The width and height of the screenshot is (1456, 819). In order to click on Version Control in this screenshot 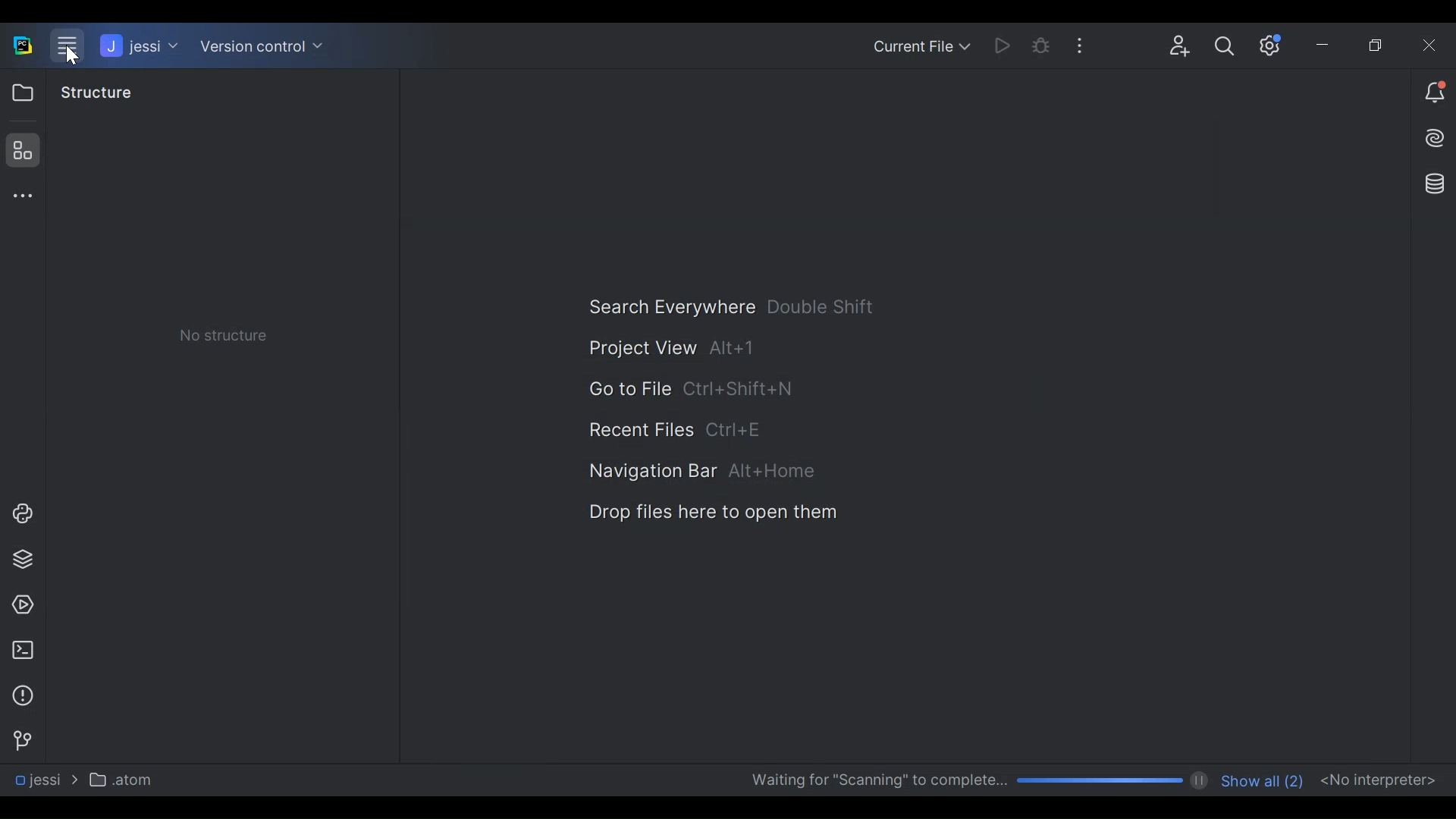, I will do `click(21, 739)`.